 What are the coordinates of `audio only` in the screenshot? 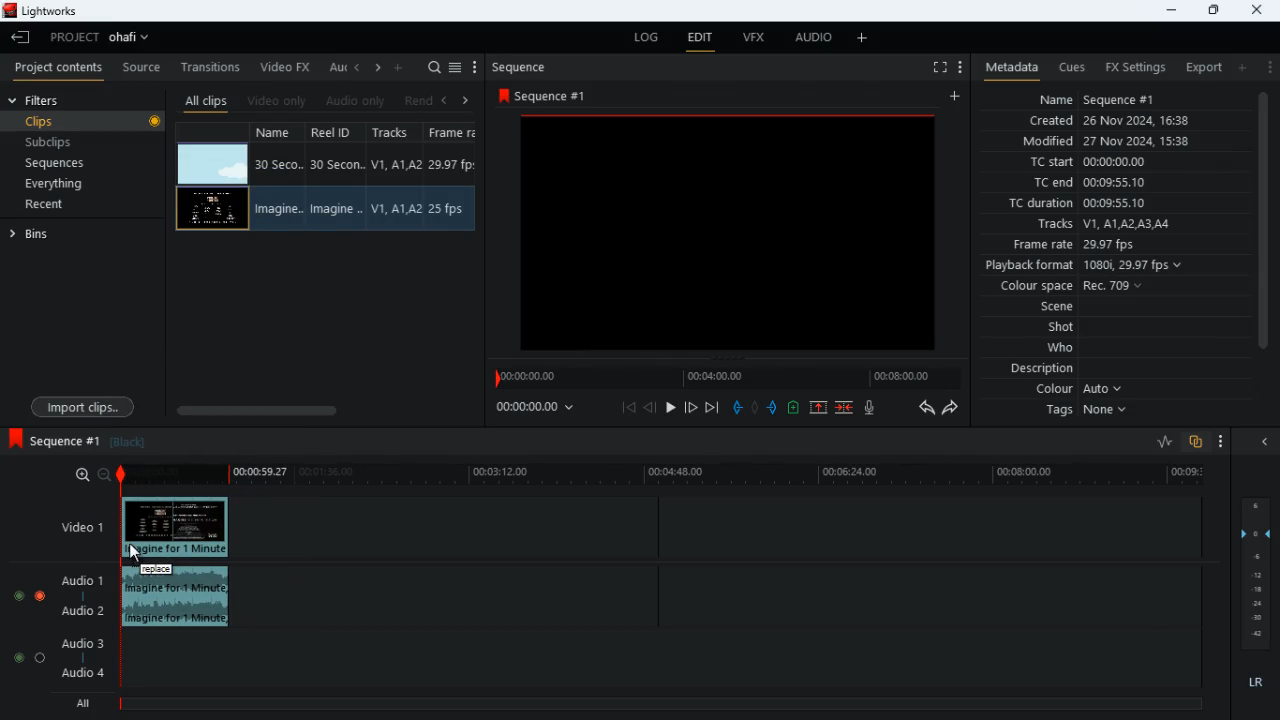 It's located at (358, 99).